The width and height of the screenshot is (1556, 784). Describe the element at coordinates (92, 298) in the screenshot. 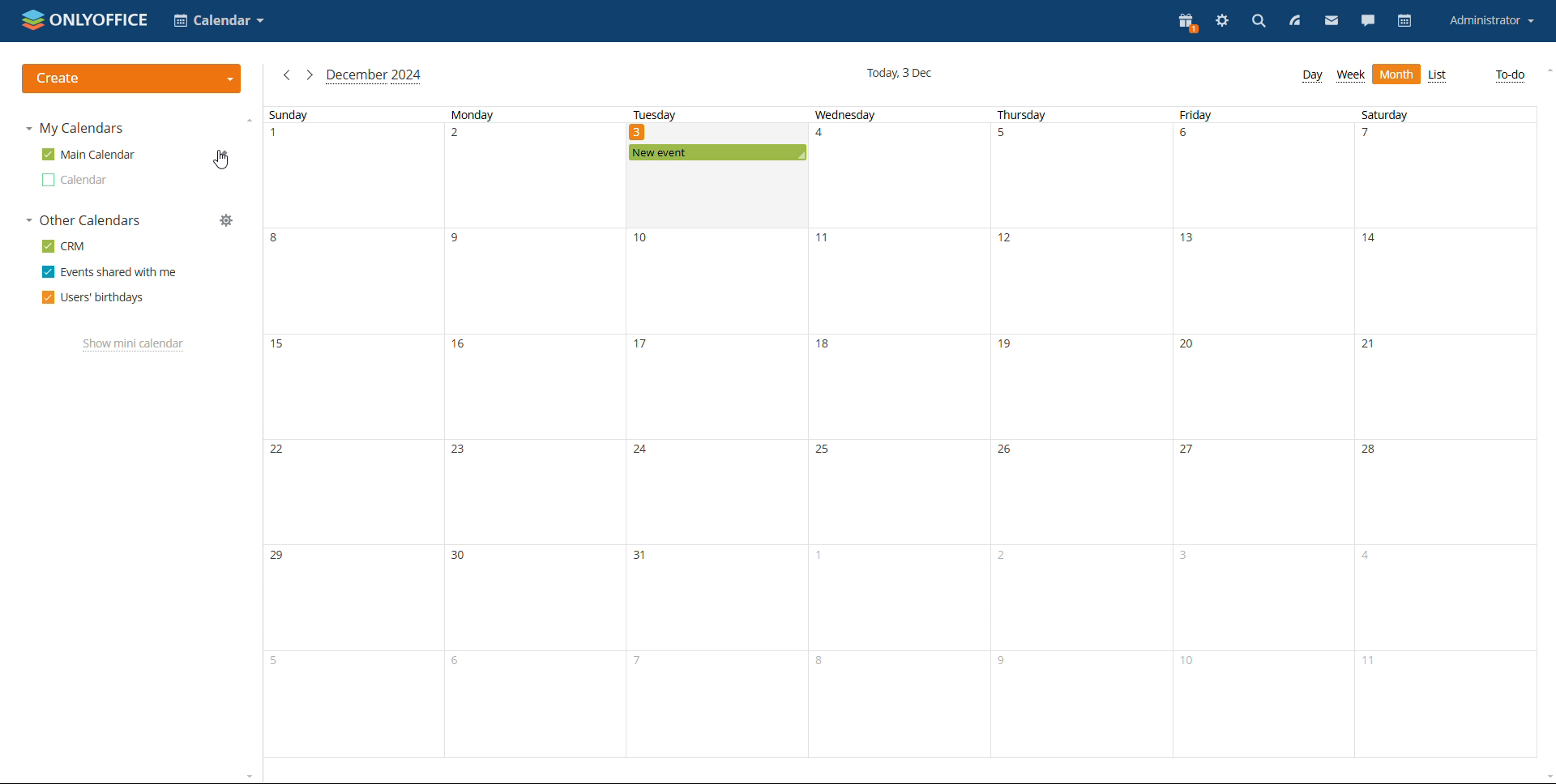

I see `users' birthdays` at that location.